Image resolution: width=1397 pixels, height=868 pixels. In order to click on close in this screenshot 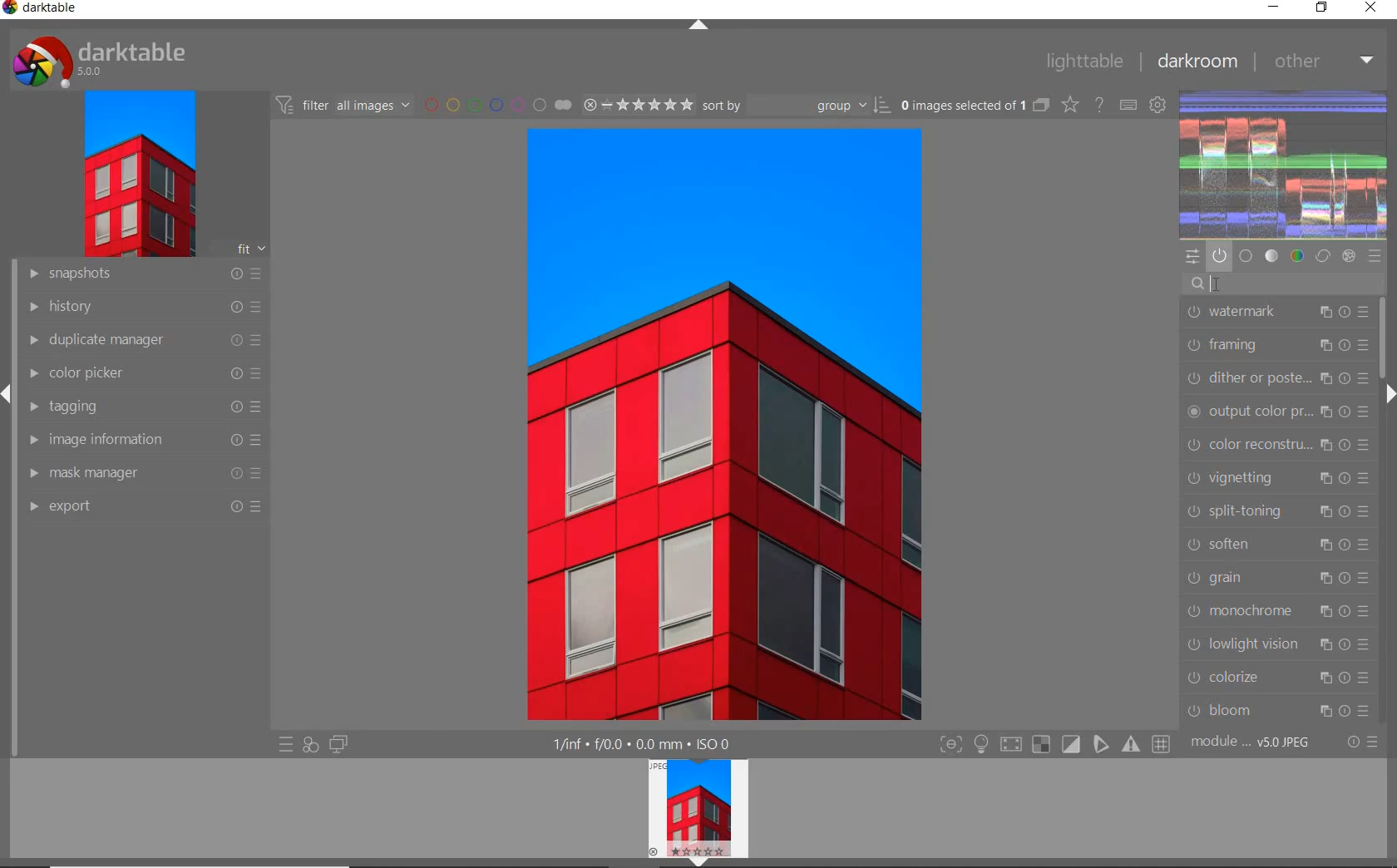, I will do `click(1371, 8)`.